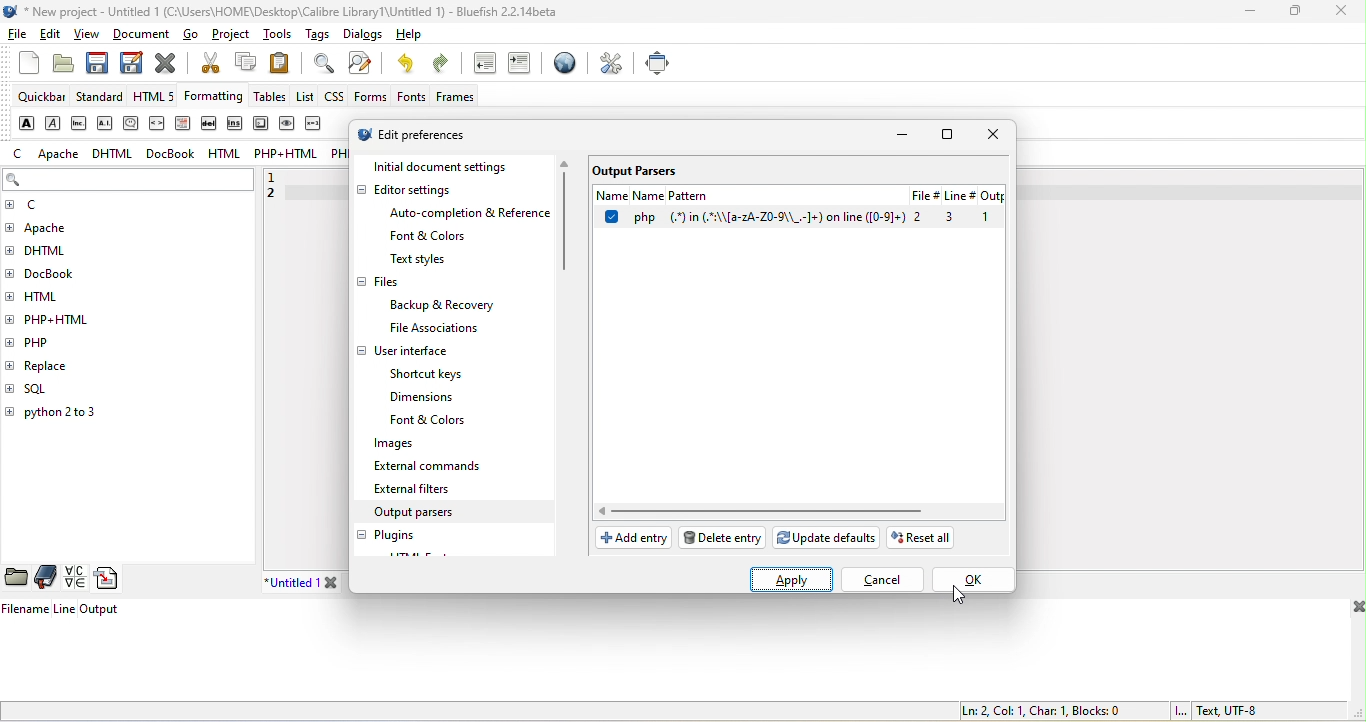 This screenshot has height=722, width=1366. Describe the element at coordinates (904, 136) in the screenshot. I see `minimize` at that location.